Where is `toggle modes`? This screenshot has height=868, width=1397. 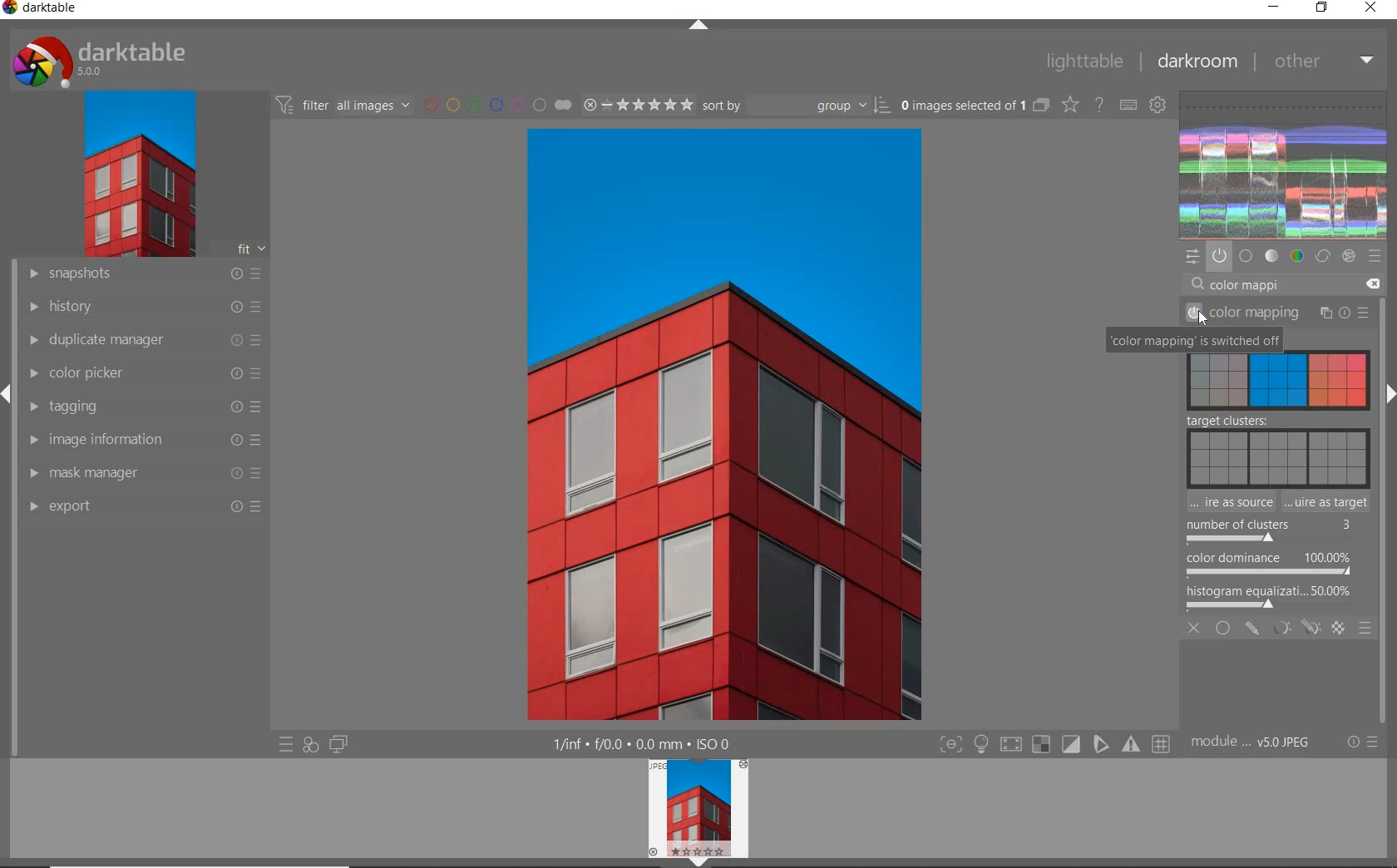 toggle modes is located at coordinates (1056, 744).